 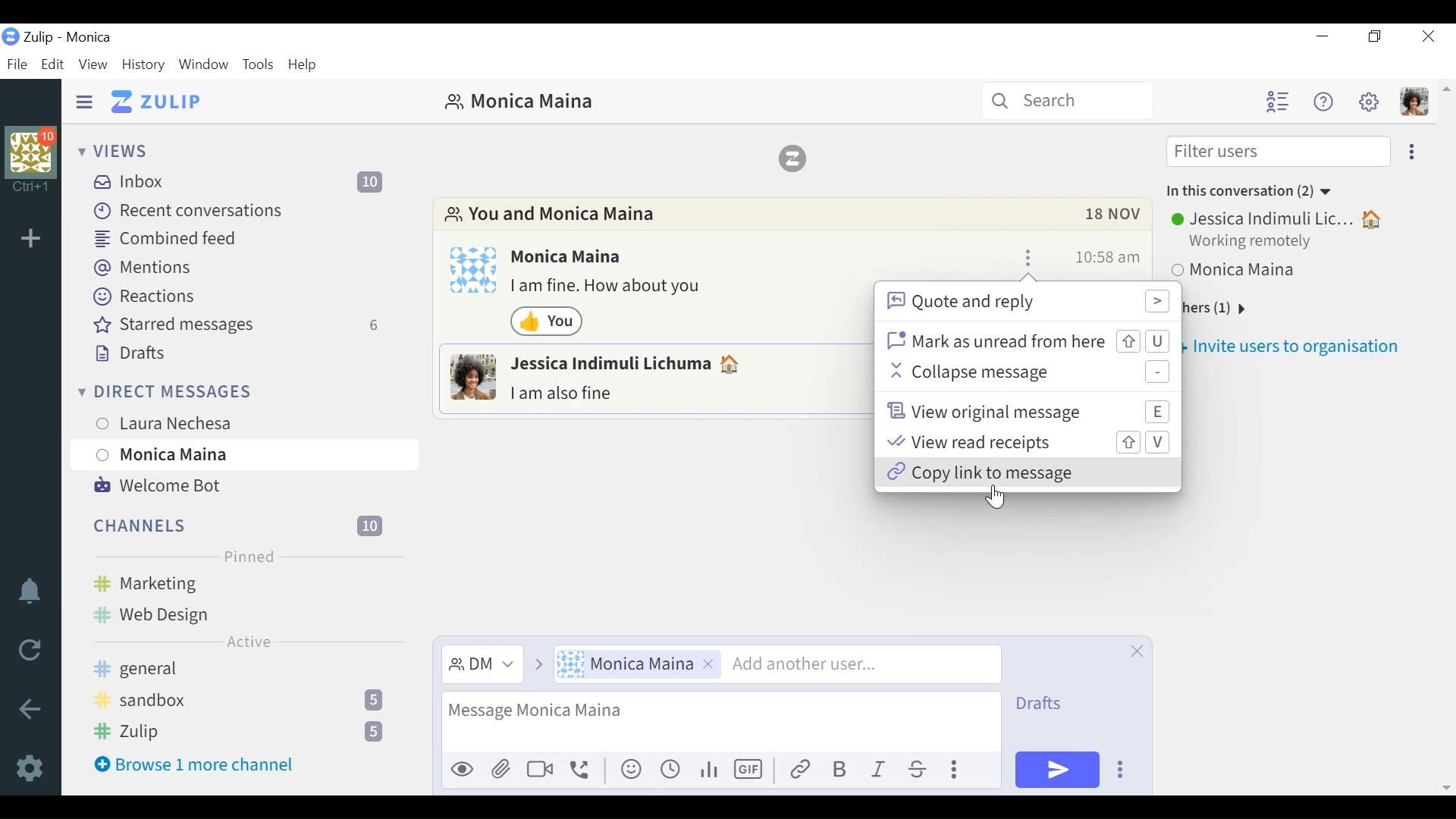 What do you see at coordinates (11, 38) in the screenshot?
I see `Zulip Desktop icon` at bounding box center [11, 38].